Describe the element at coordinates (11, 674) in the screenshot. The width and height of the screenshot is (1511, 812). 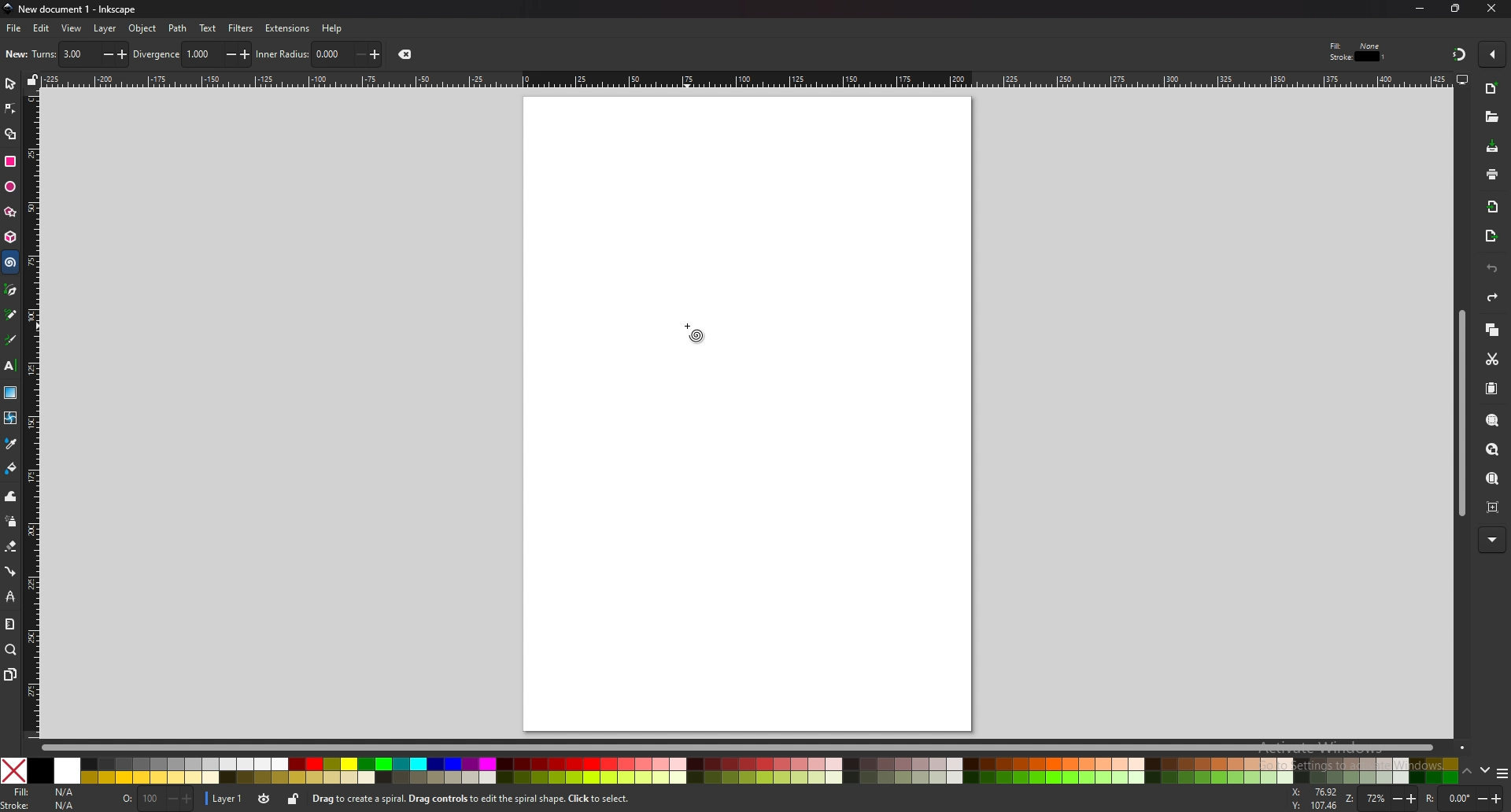
I see `pages` at that location.